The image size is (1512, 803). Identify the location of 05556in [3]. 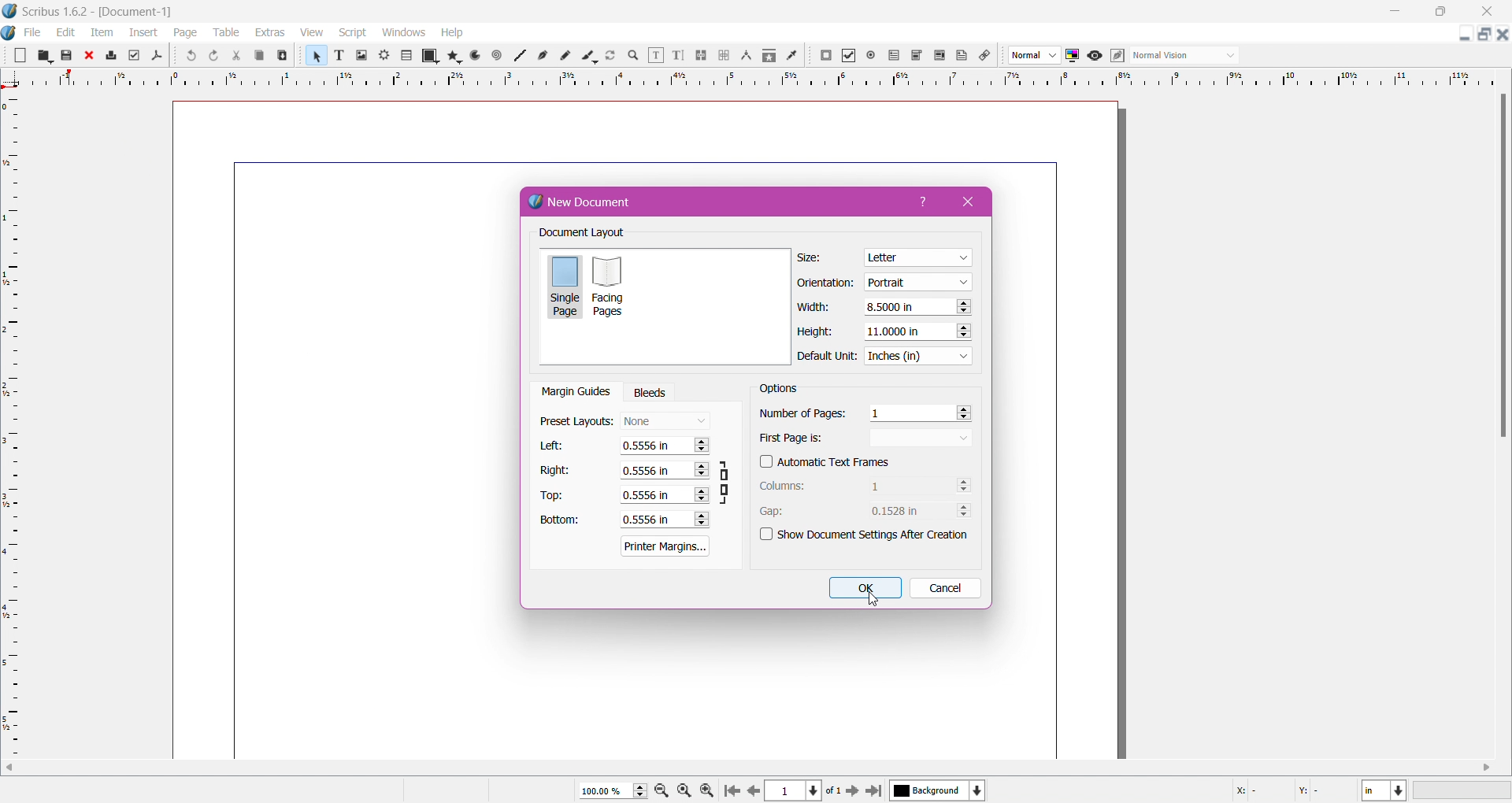
(659, 469).